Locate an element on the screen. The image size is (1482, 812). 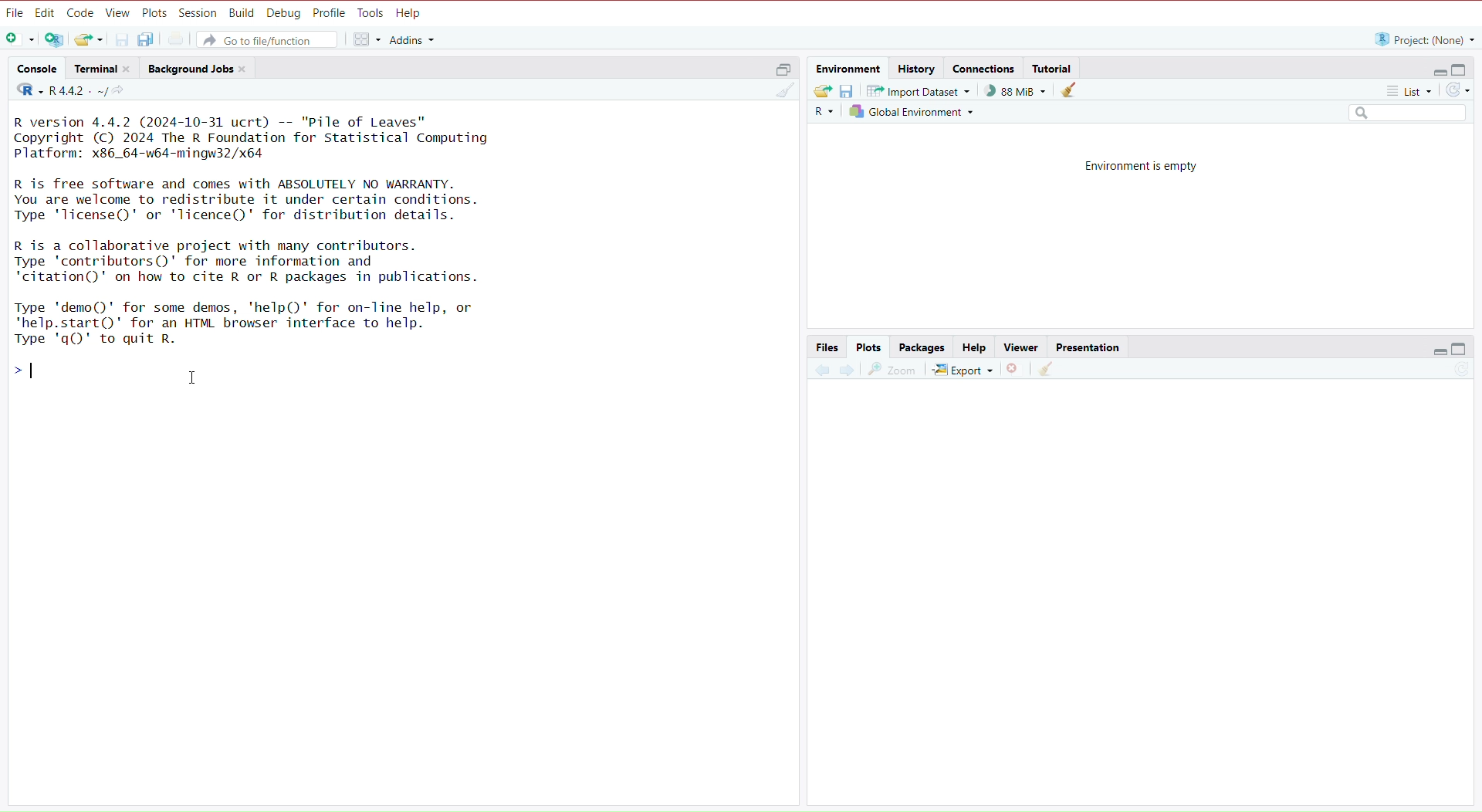
Packages is located at coordinates (921, 347).